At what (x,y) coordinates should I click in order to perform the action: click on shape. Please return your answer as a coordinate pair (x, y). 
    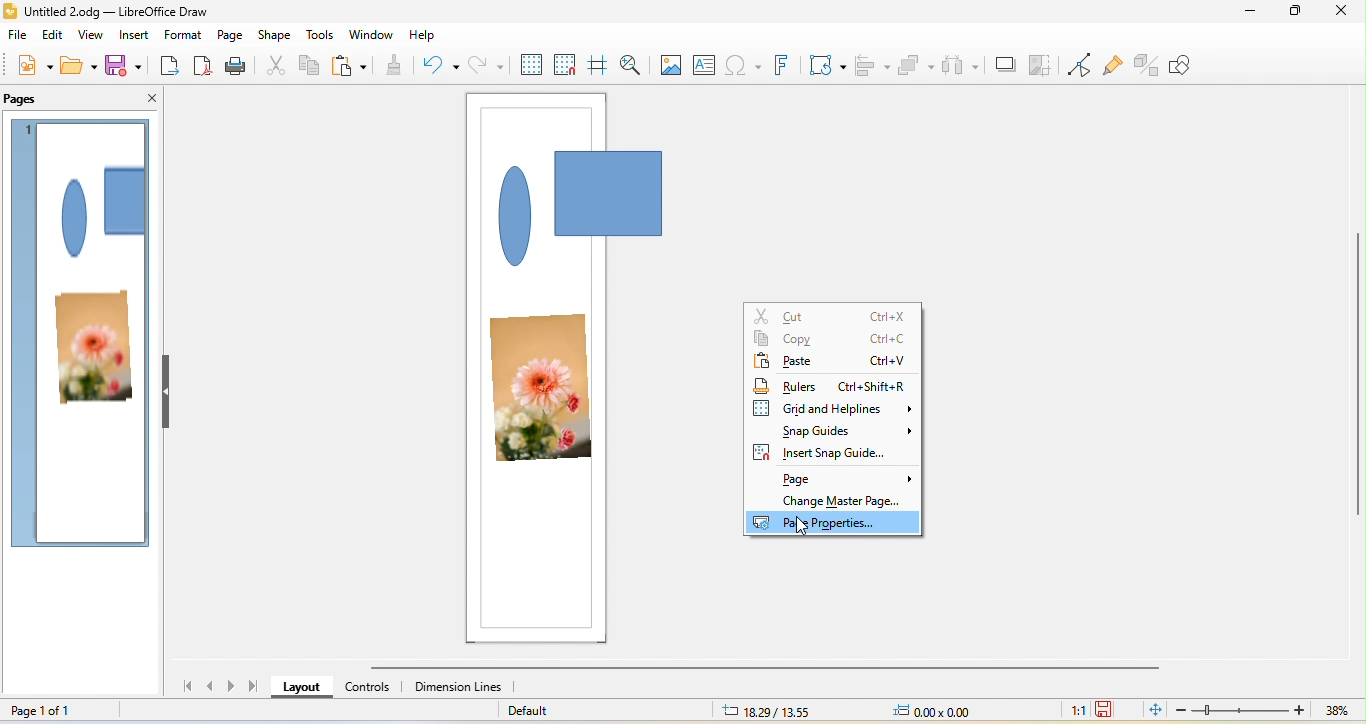
    Looking at the image, I should click on (100, 209).